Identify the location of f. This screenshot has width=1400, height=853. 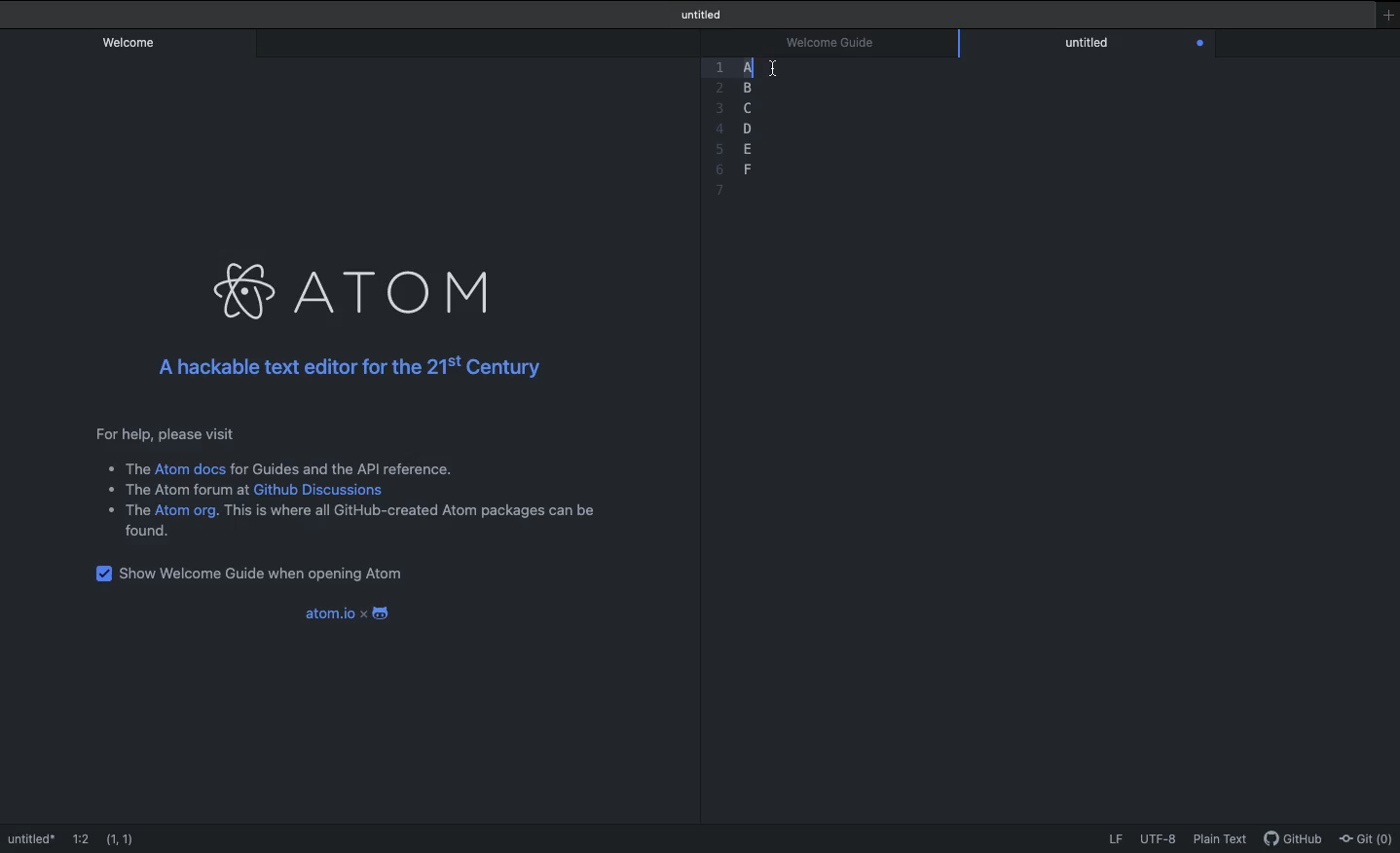
(748, 167).